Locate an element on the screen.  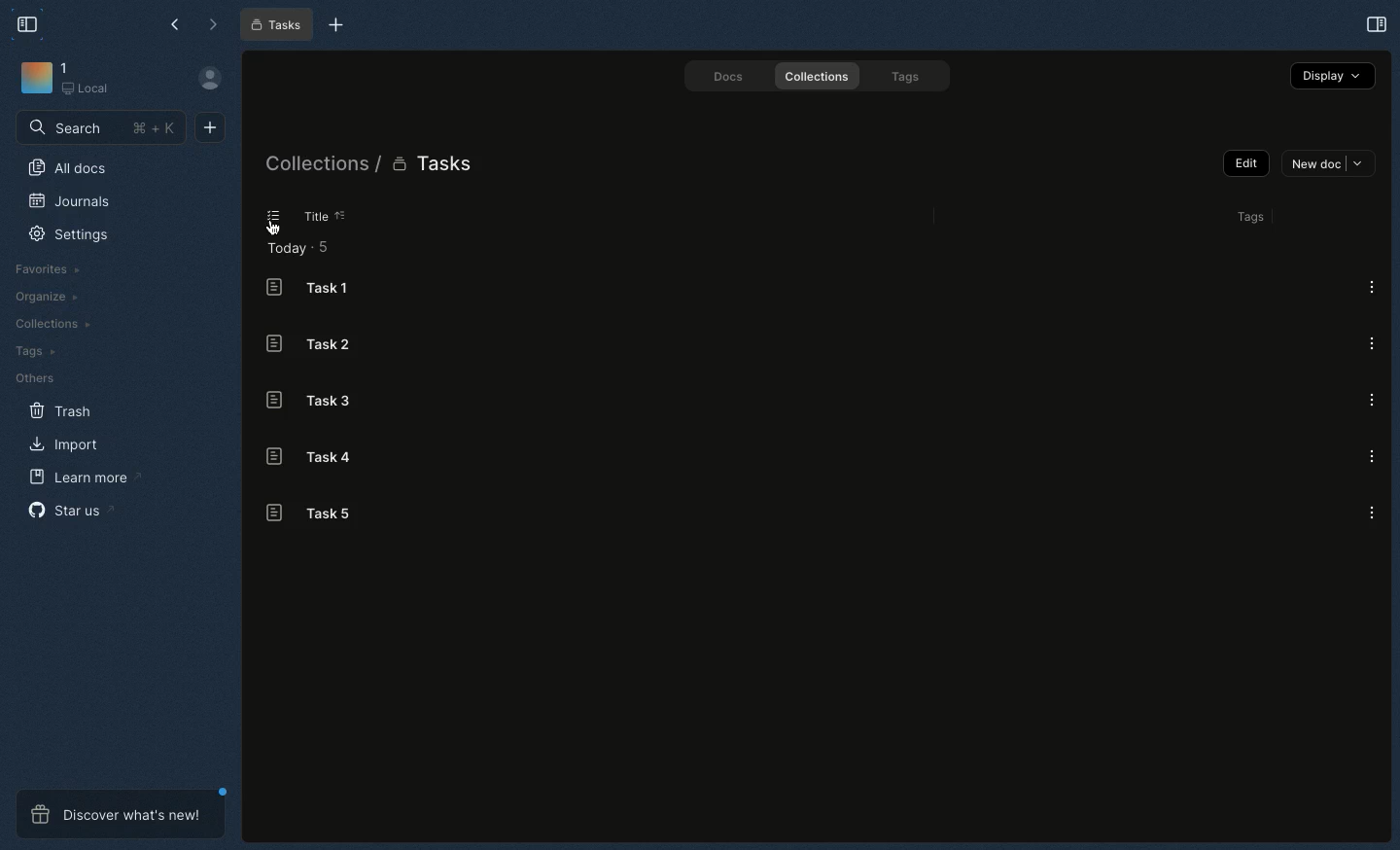
Options is located at coordinates (1370, 399).